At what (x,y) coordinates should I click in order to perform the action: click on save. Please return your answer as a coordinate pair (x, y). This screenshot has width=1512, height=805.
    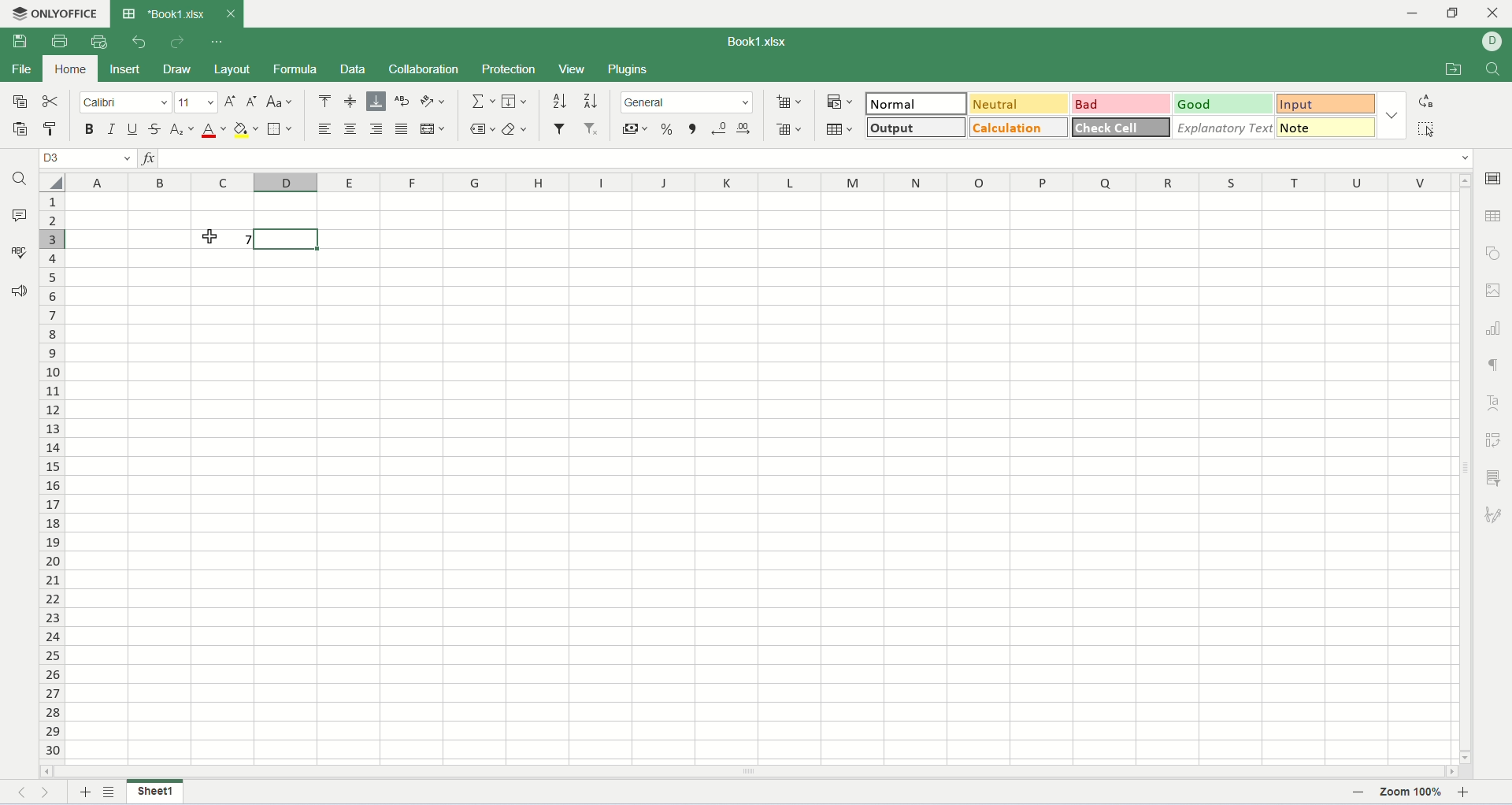
    Looking at the image, I should click on (24, 42).